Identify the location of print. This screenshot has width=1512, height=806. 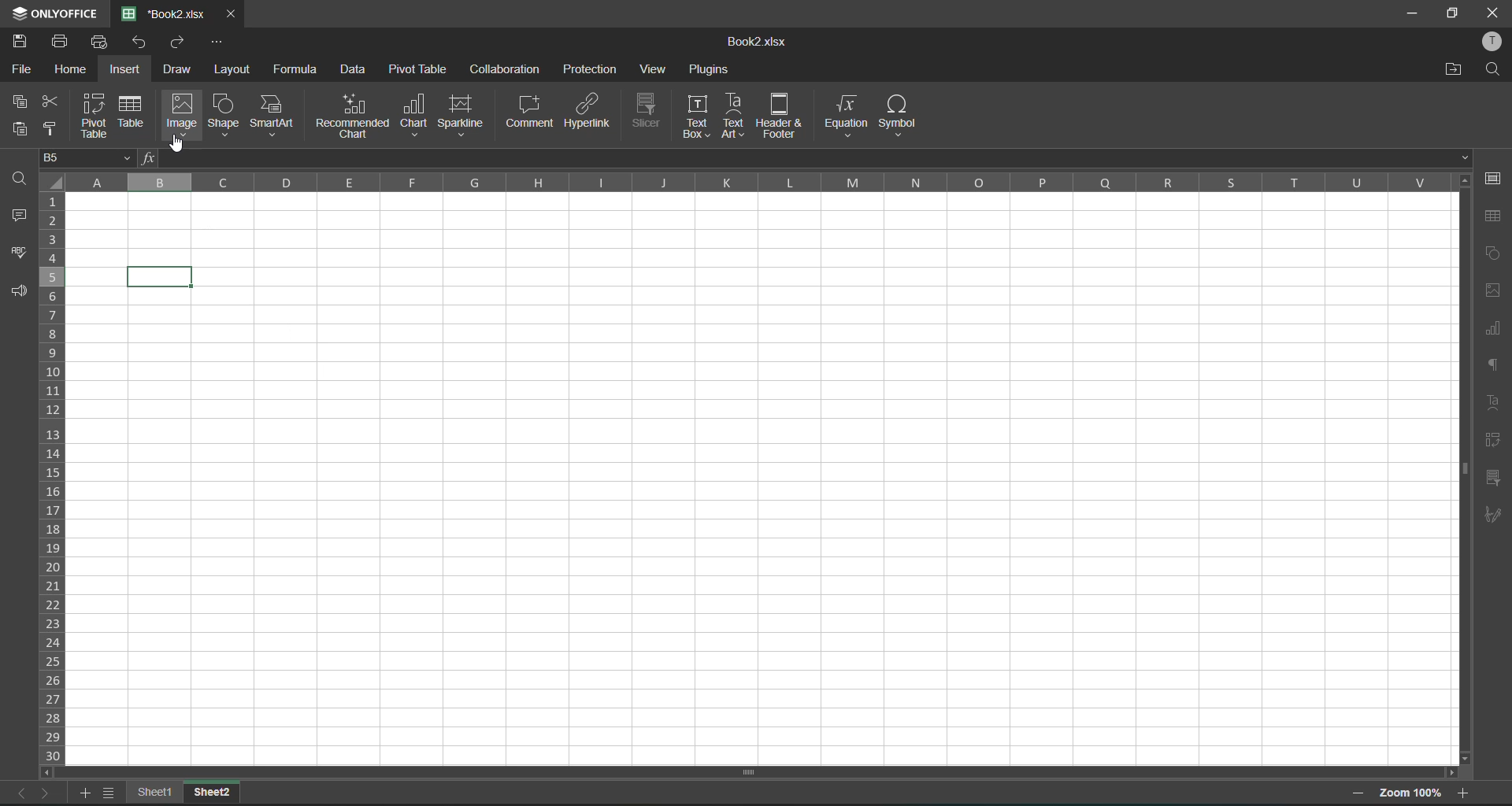
(65, 42).